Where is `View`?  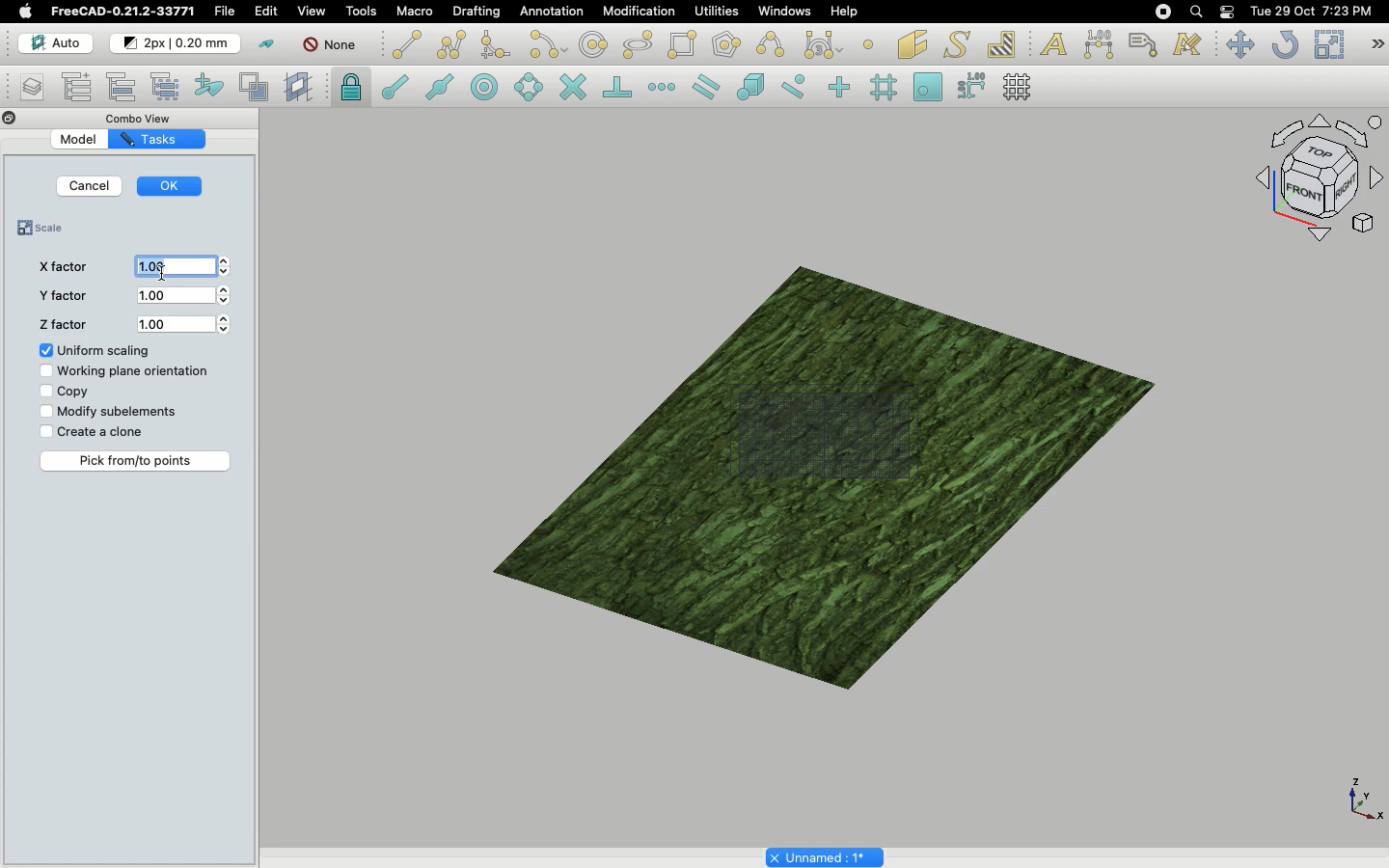
View is located at coordinates (308, 12).